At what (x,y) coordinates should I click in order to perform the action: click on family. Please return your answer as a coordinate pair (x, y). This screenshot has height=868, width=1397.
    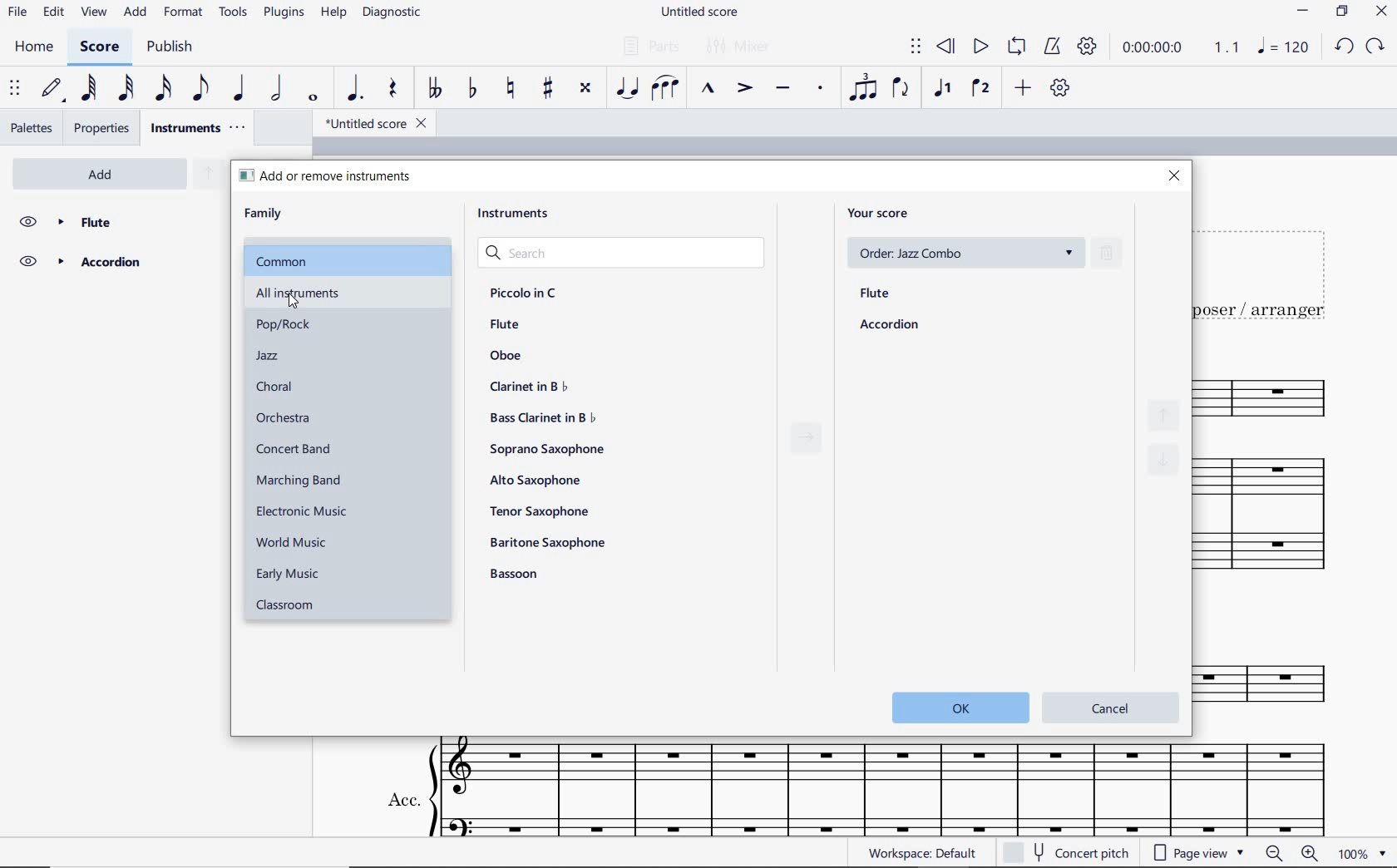
    Looking at the image, I should click on (264, 213).